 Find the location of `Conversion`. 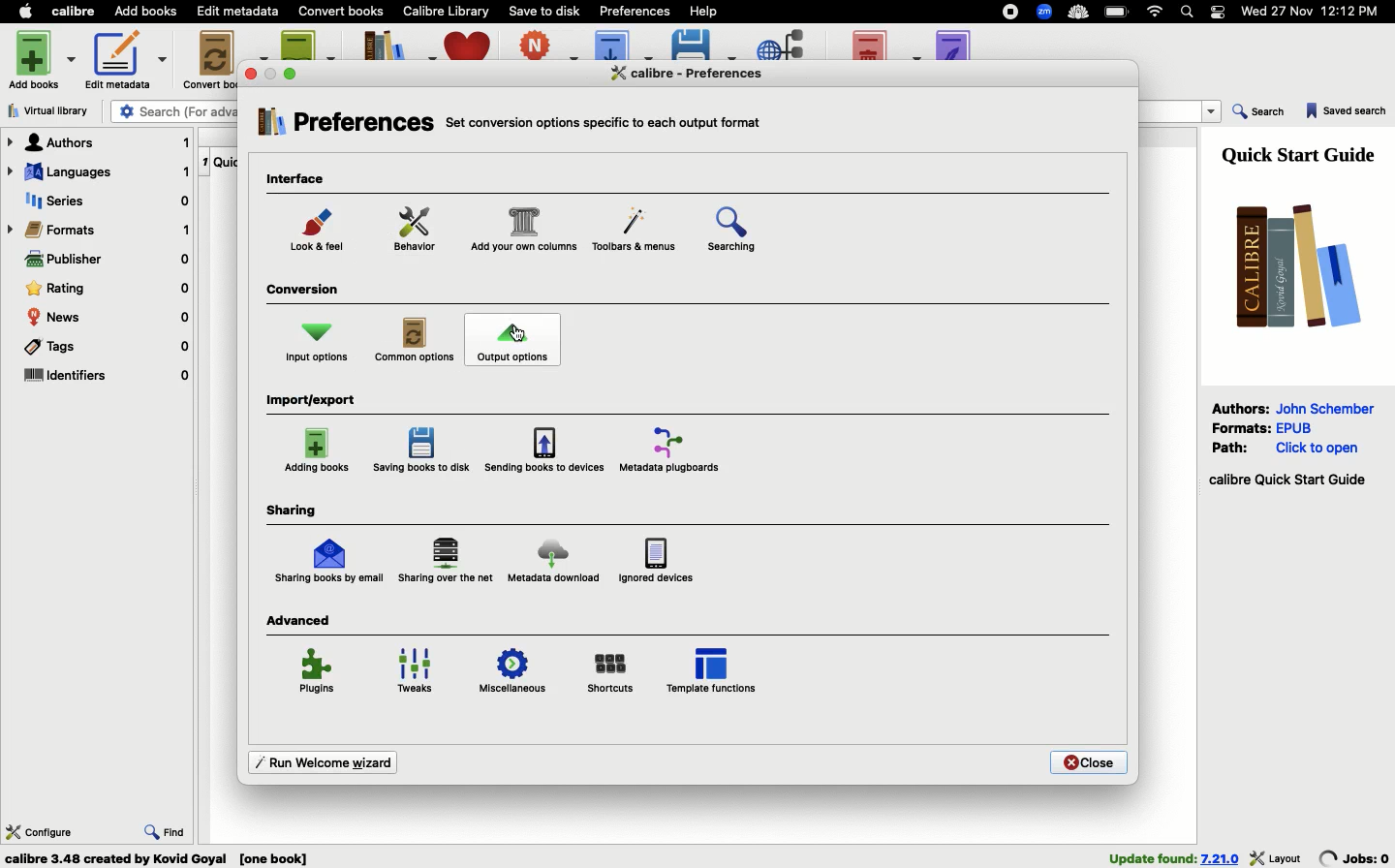

Conversion is located at coordinates (306, 292).